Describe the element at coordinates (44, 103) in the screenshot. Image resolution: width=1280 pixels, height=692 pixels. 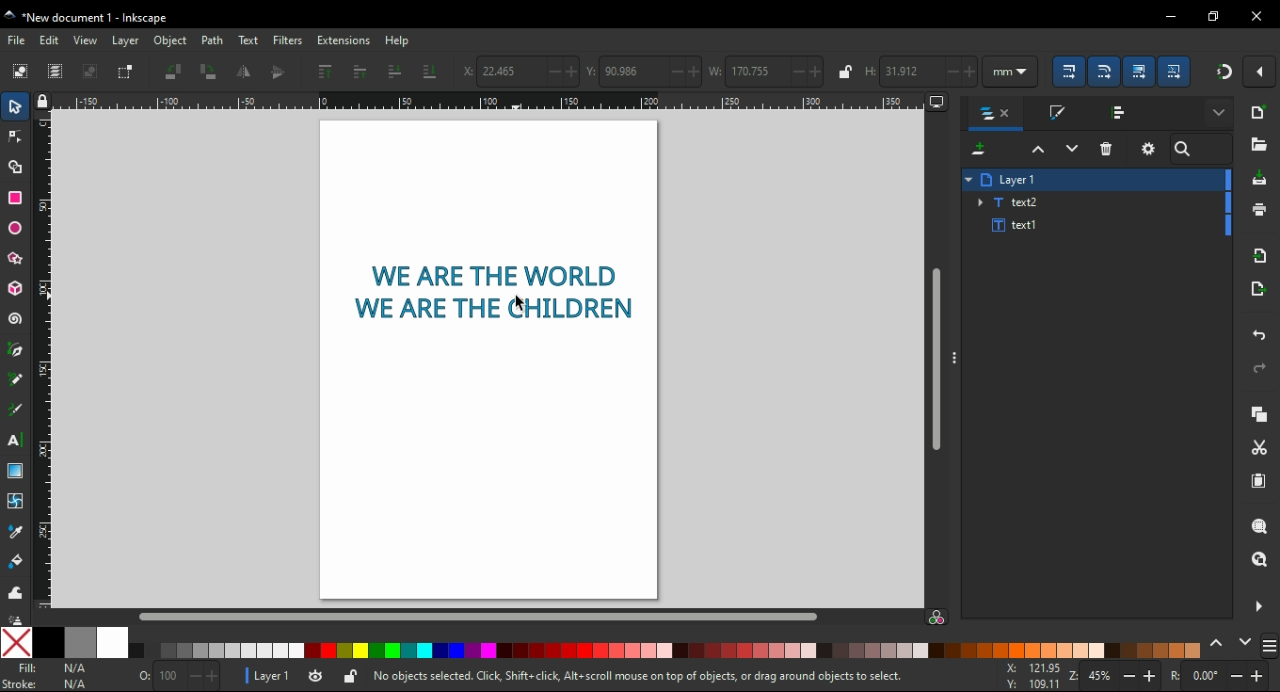
I see `lock` at that location.